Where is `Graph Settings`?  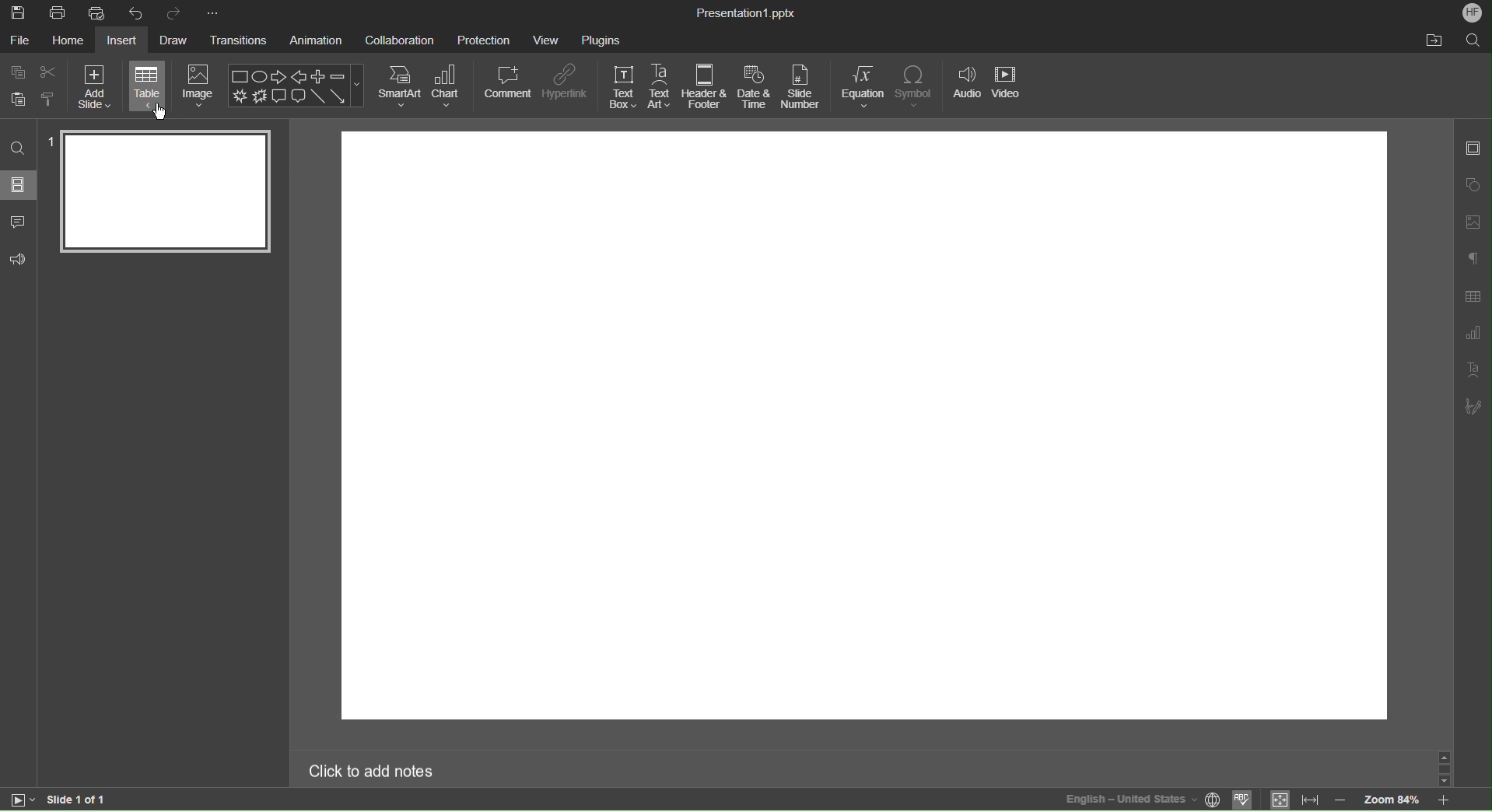
Graph Settings is located at coordinates (1473, 334).